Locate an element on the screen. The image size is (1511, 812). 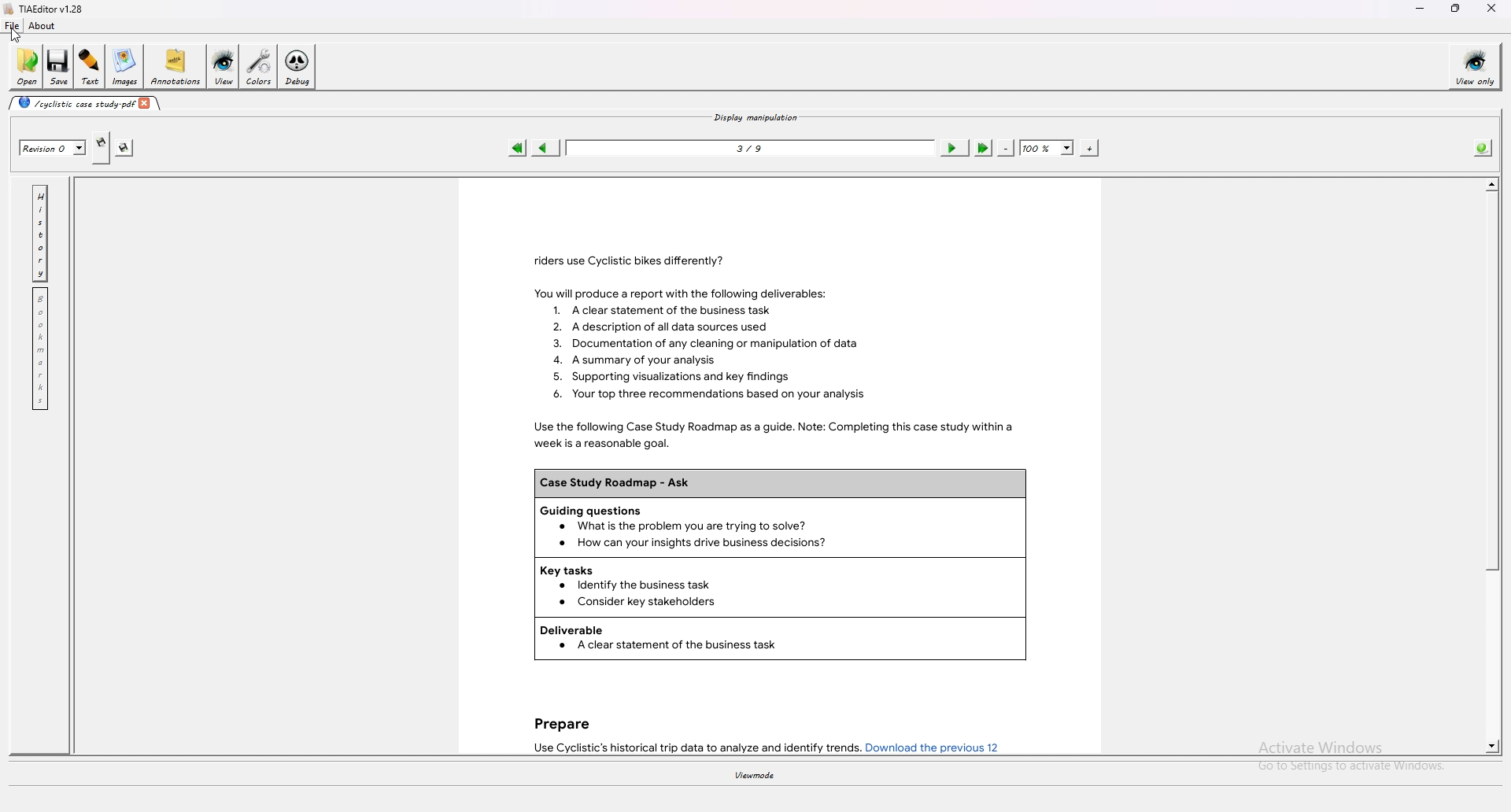
scroll up is located at coordinates (1491, 184).